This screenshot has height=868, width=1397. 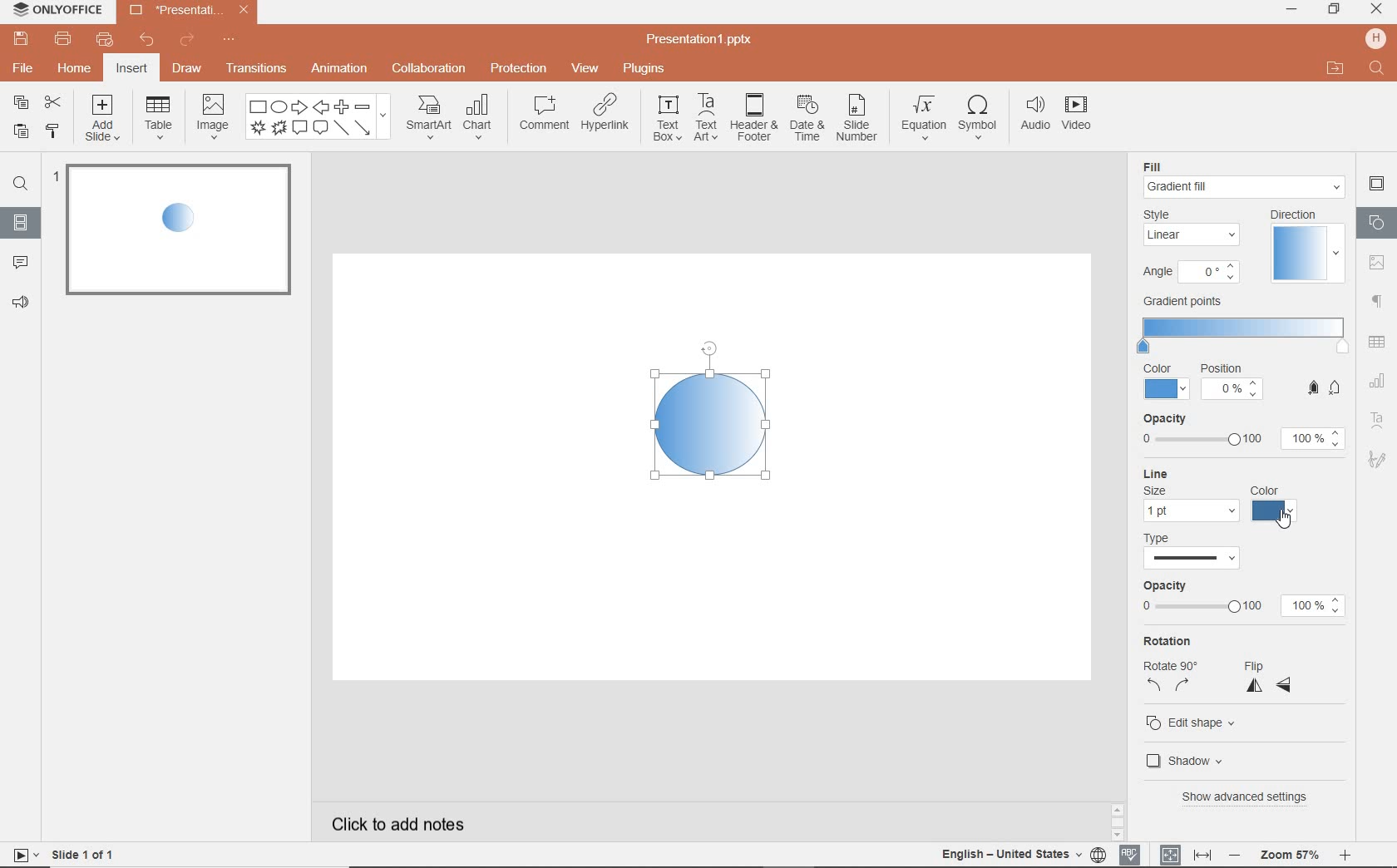 I want to click on click to add notes, so click(x=390, y=823).